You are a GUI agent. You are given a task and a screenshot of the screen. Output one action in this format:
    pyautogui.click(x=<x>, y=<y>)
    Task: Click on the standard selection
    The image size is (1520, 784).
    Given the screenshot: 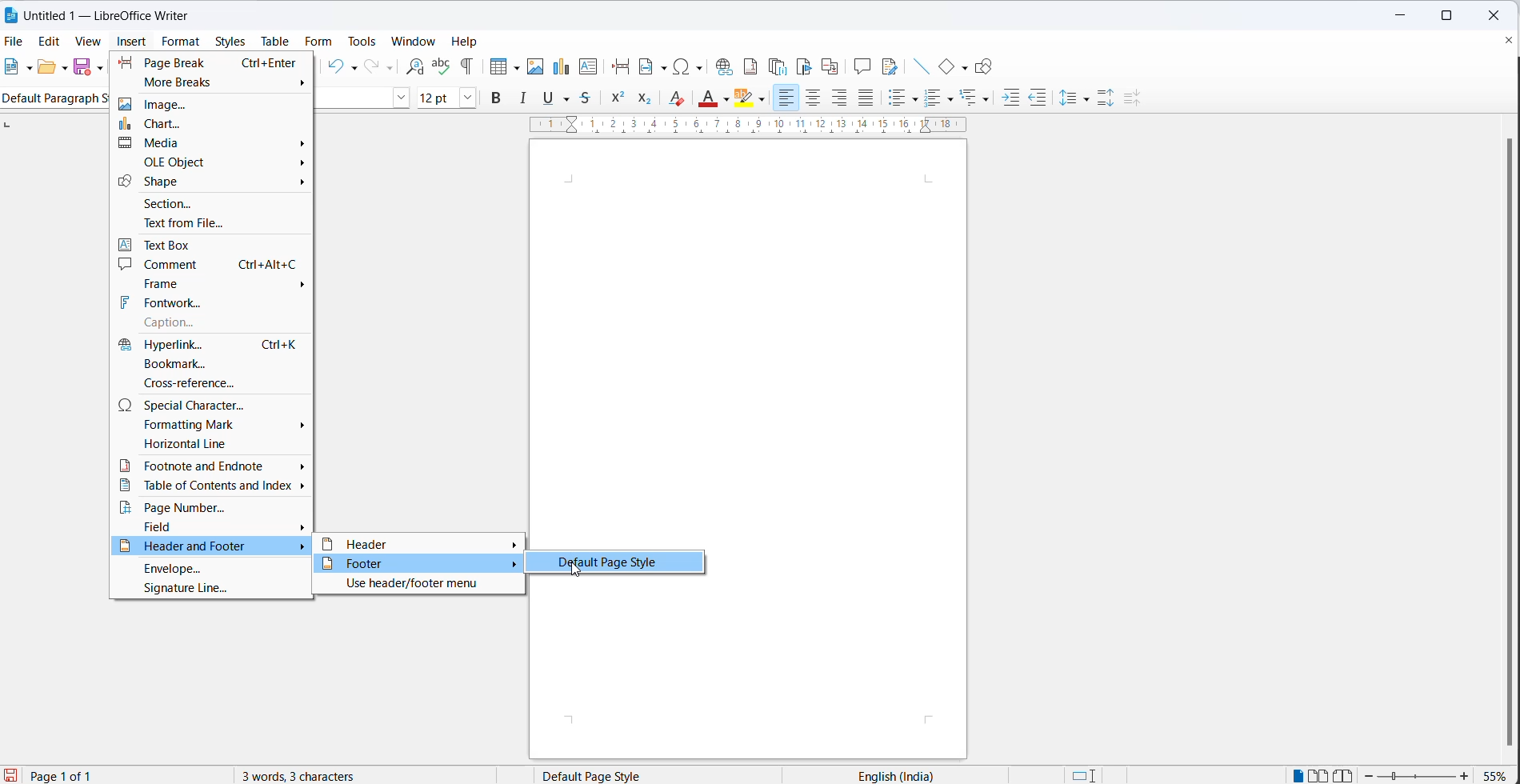 What is the action you would take?
    pyautogui.click(x=1087, y=775)
    